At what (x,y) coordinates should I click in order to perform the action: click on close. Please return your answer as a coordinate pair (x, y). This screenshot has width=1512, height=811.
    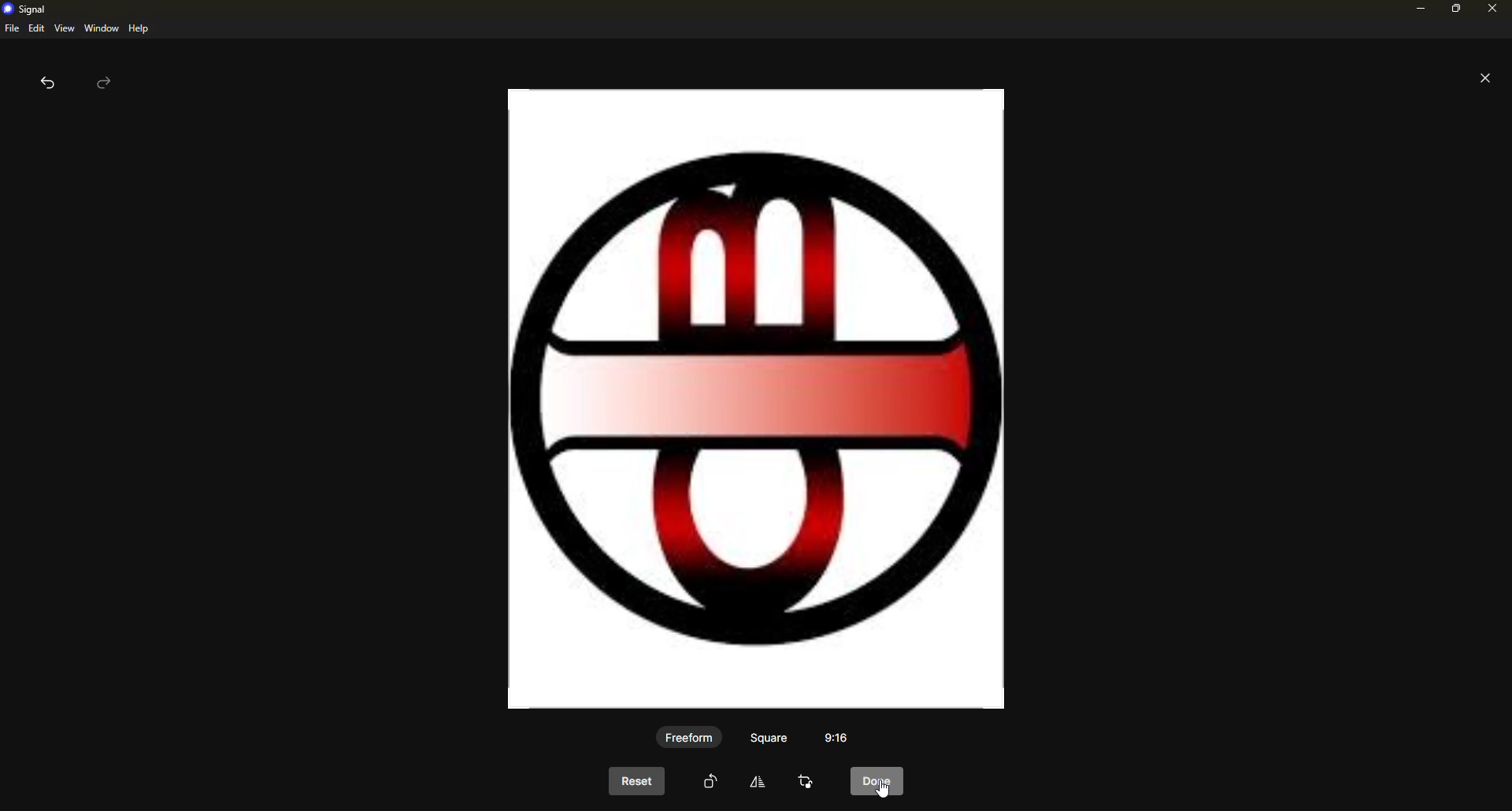
    Looking at the image, I should click on (1481, 76).